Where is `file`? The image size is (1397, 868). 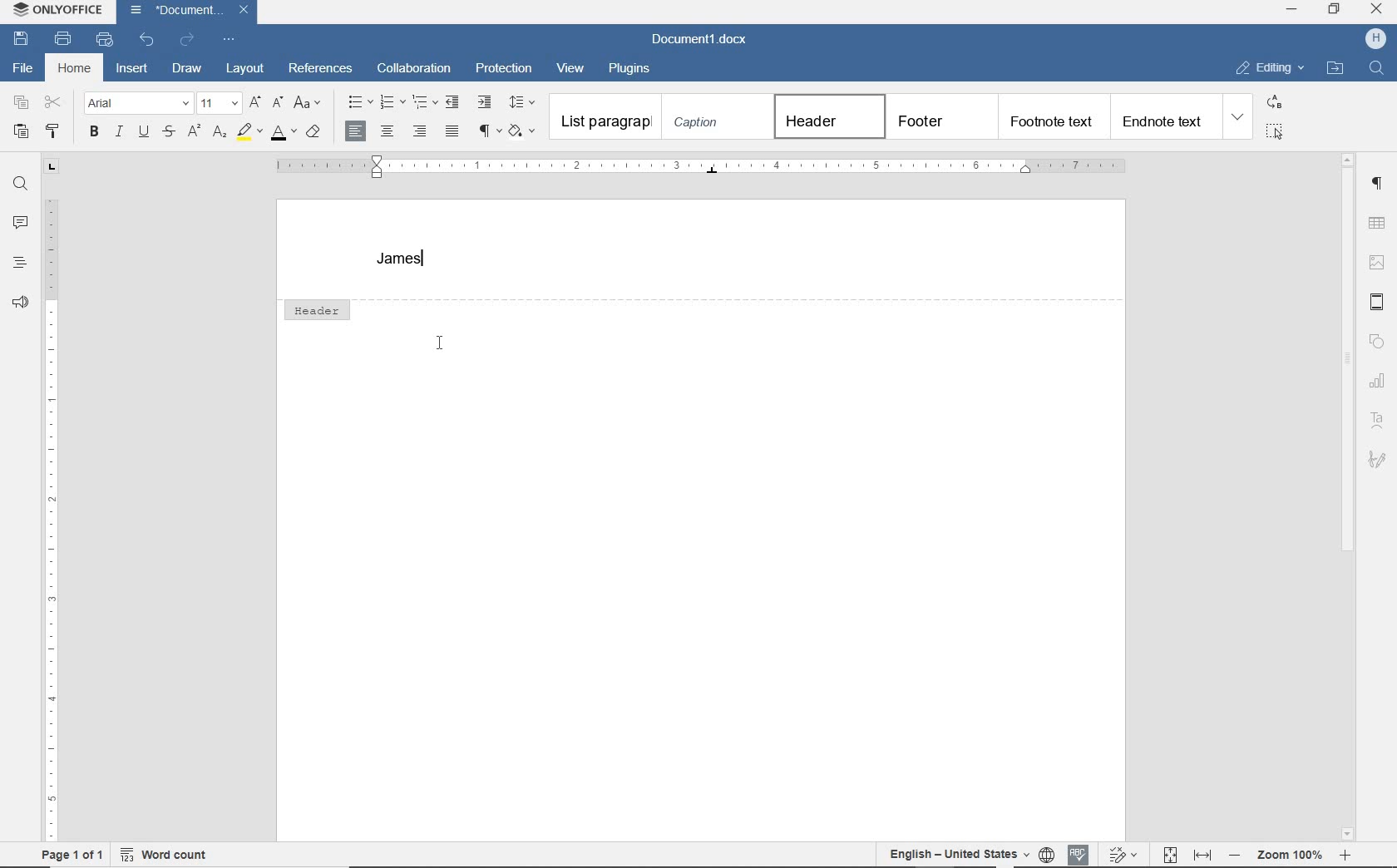 file is located at coordinates (20, 68).